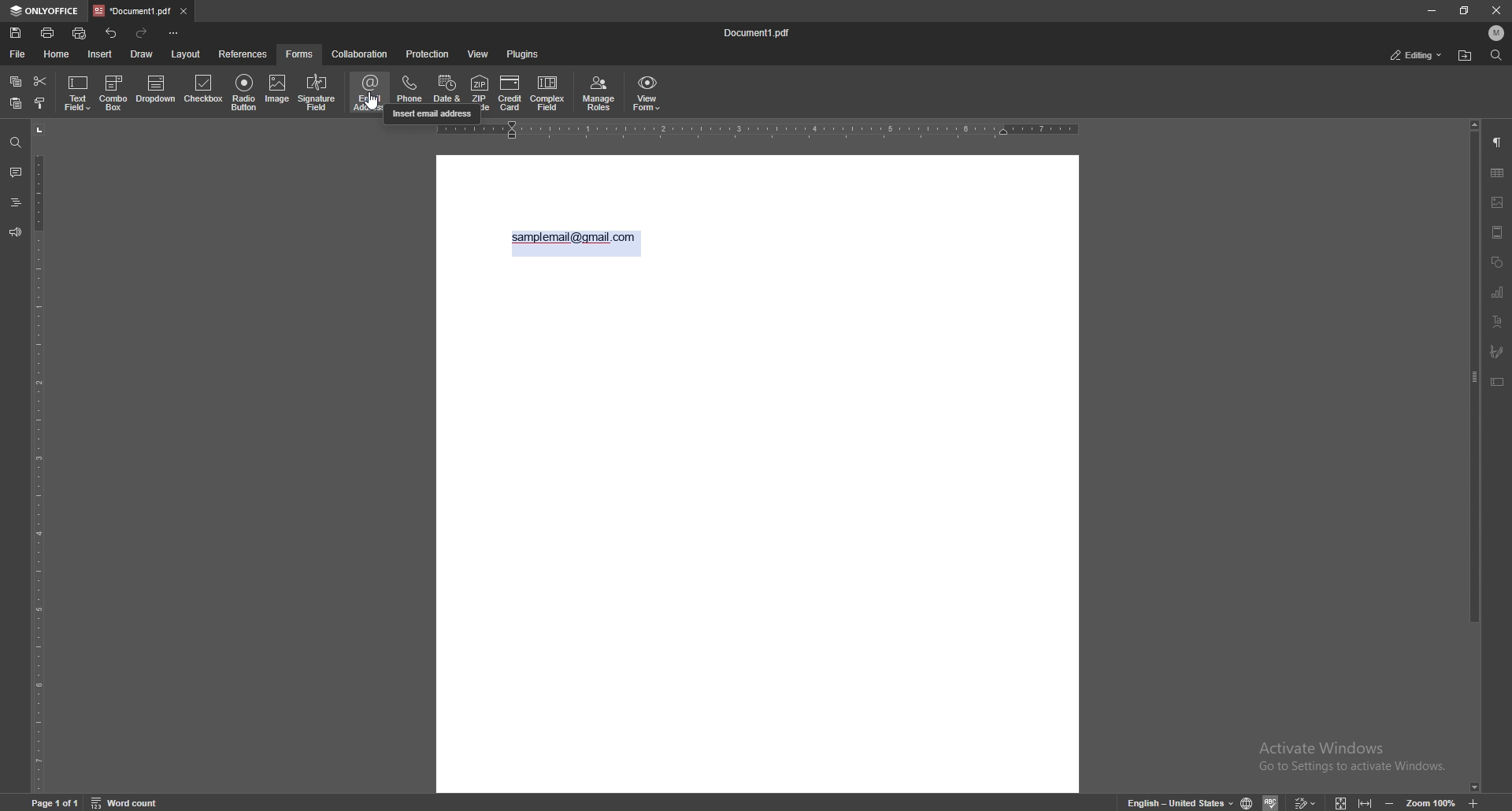 The image size is (1512, 811). I want to click on view form, so click(647, 94).